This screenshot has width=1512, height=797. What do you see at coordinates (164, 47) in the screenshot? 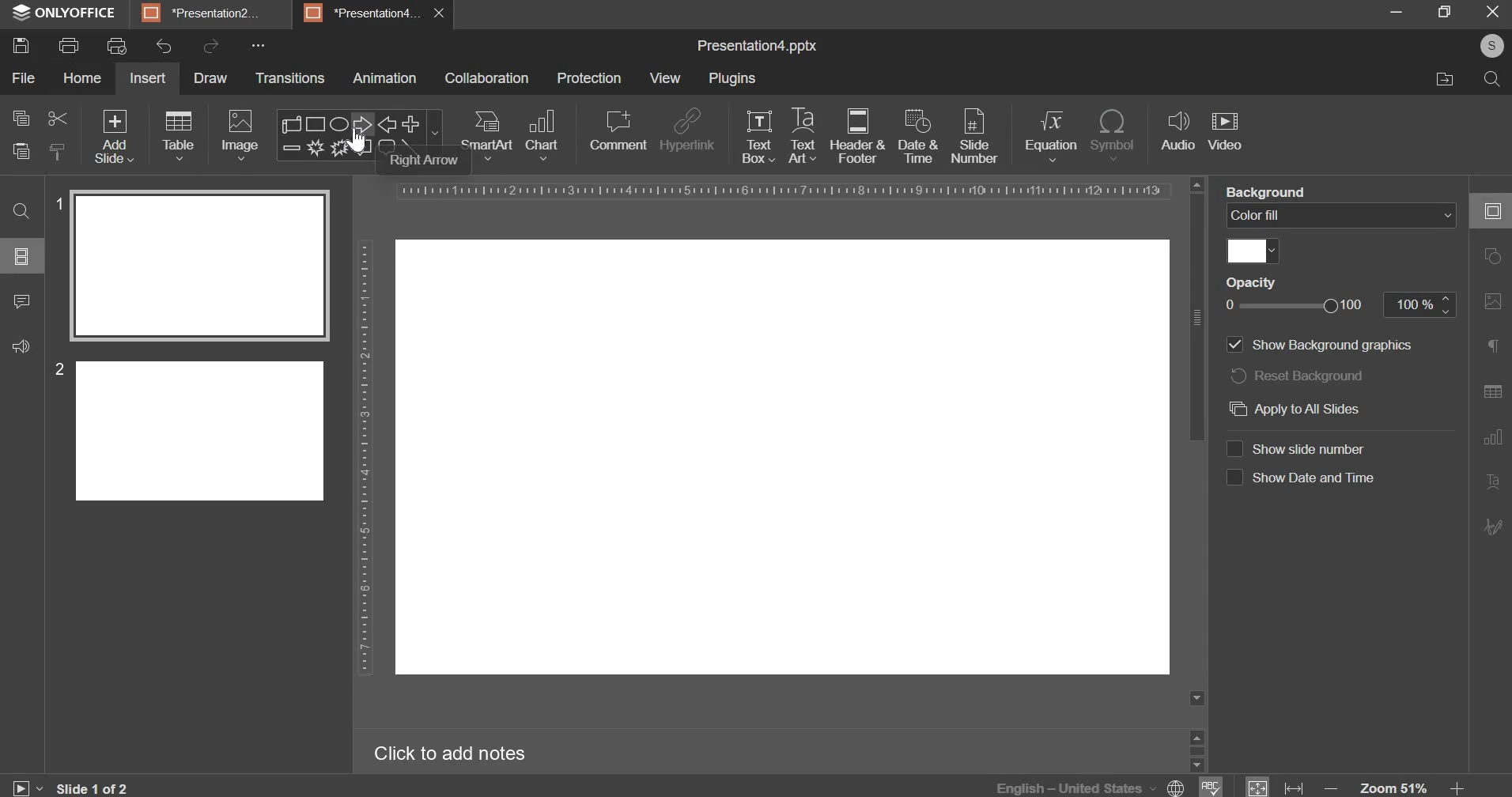
I see `undo` at bounding box center [164, 47].